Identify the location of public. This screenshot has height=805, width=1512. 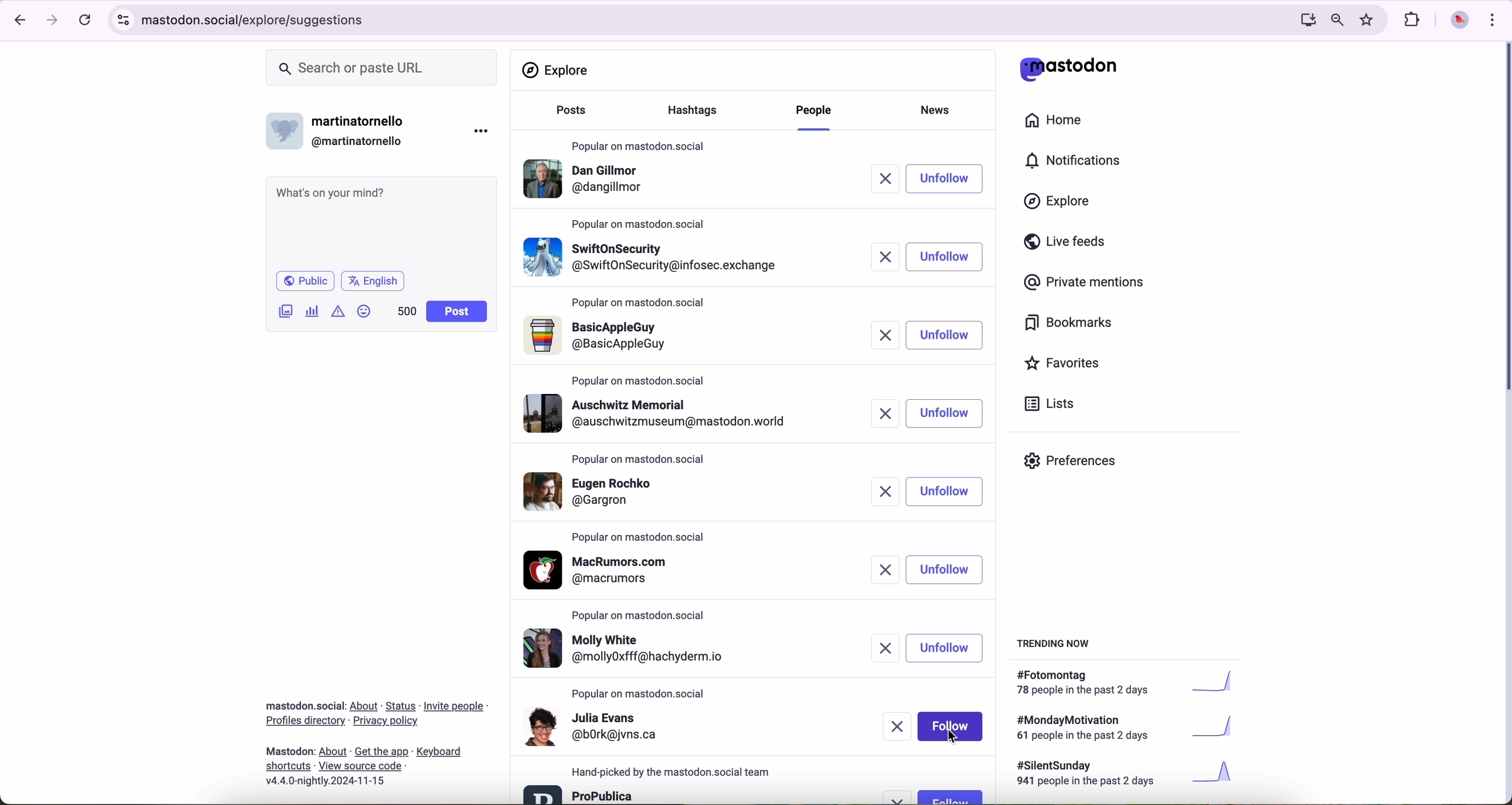
(304, 281).